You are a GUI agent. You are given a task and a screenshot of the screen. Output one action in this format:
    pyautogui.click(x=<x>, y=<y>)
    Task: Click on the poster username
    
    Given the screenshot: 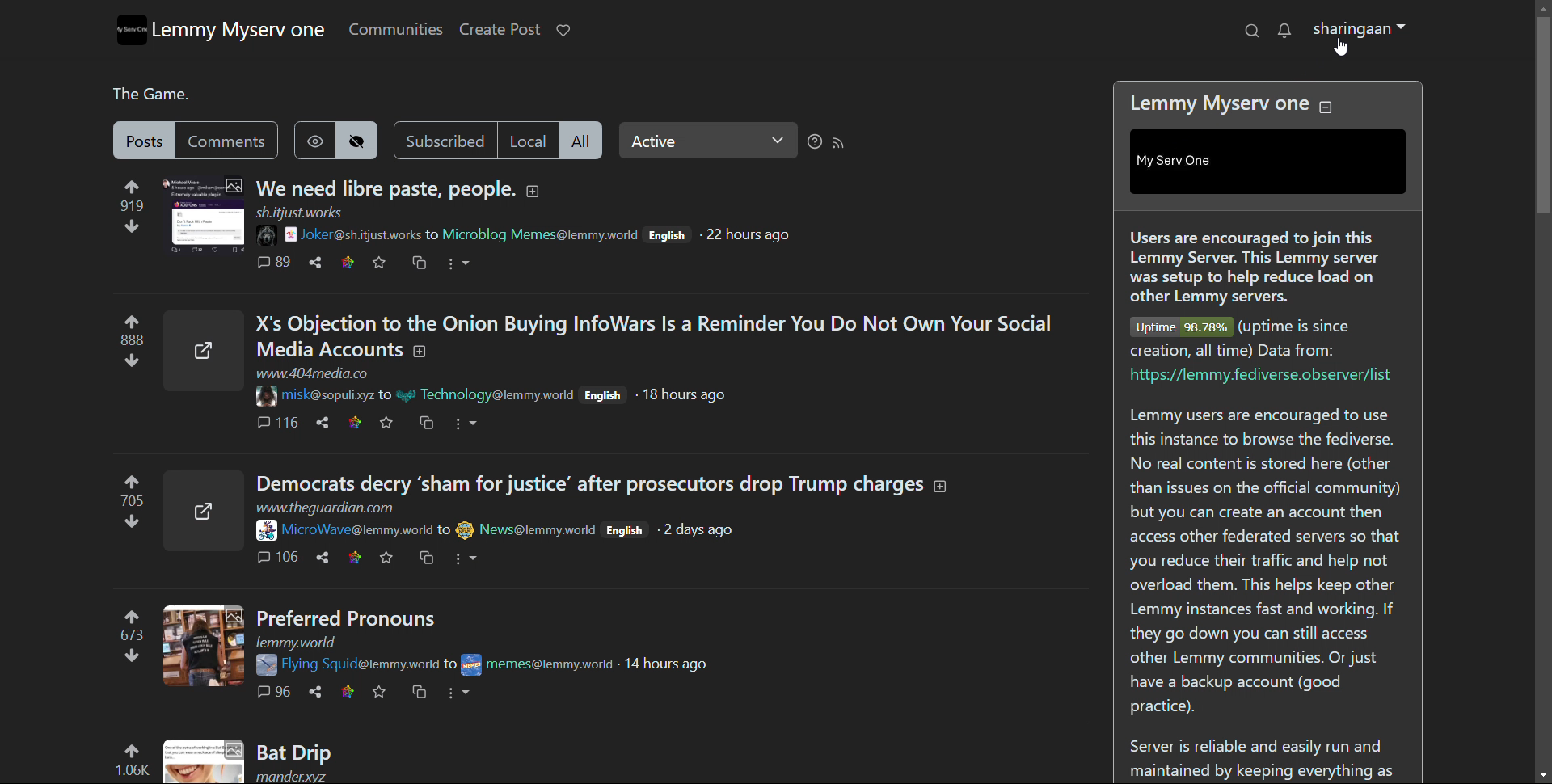 What is the action you would take?
    pyautogui.click(x=357, y=531)
    